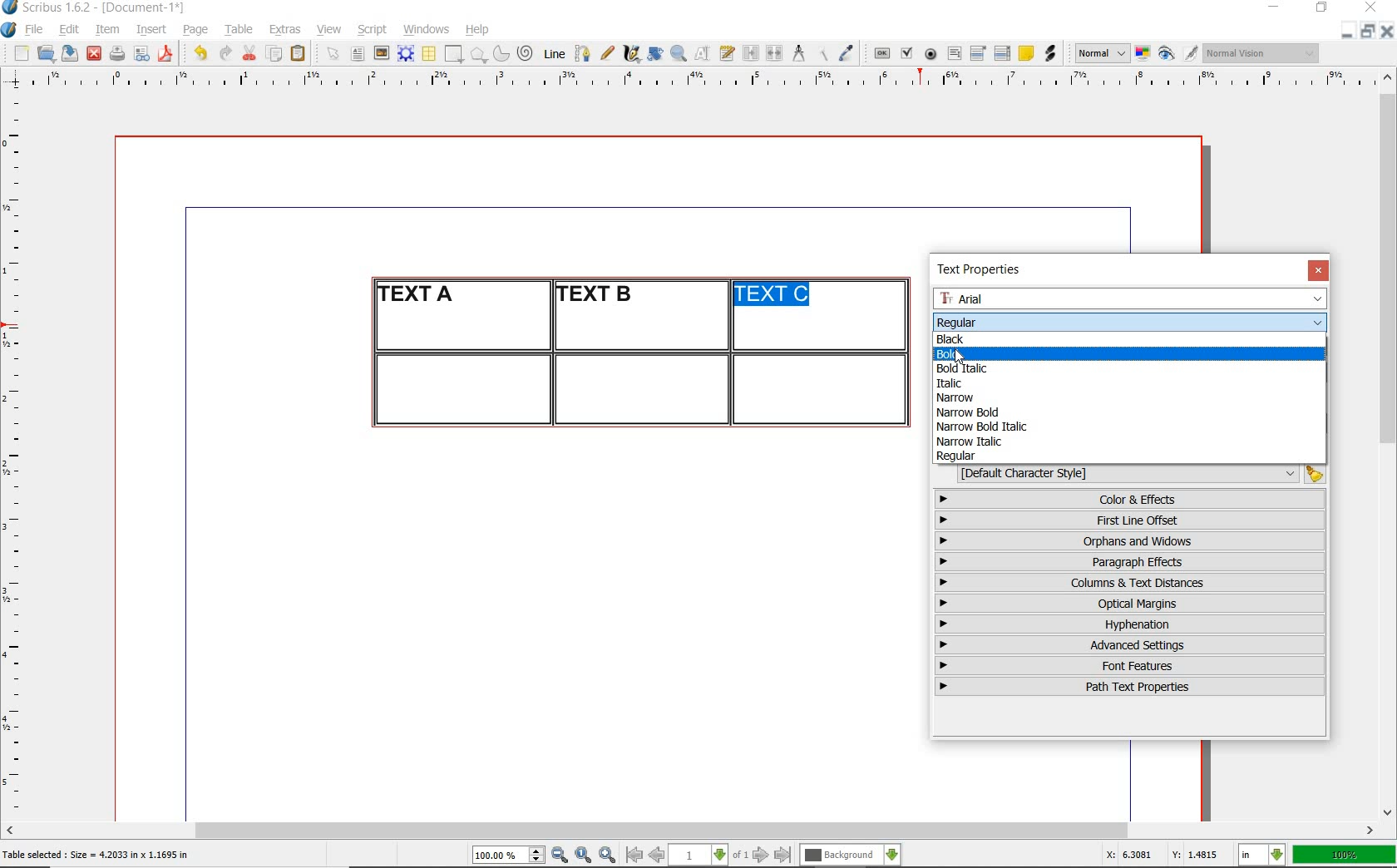  What do you see at coordinates (679, 53) in the screenshot?
I see `zoom in or zoom out` at bounding box center [679, 53].